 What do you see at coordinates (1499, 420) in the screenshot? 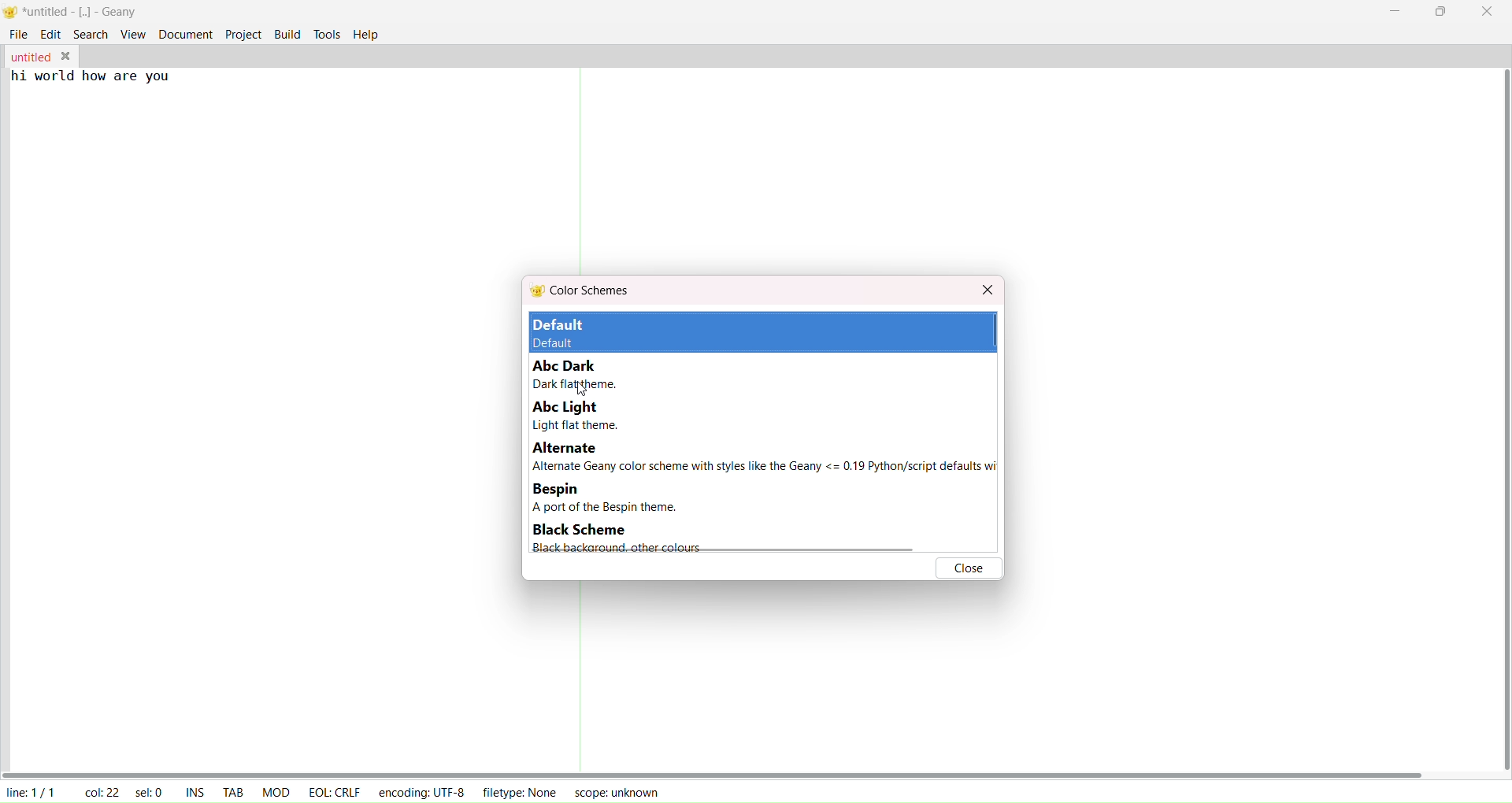
I see `vertical scroll bar` at bounding box center [1499, 420].